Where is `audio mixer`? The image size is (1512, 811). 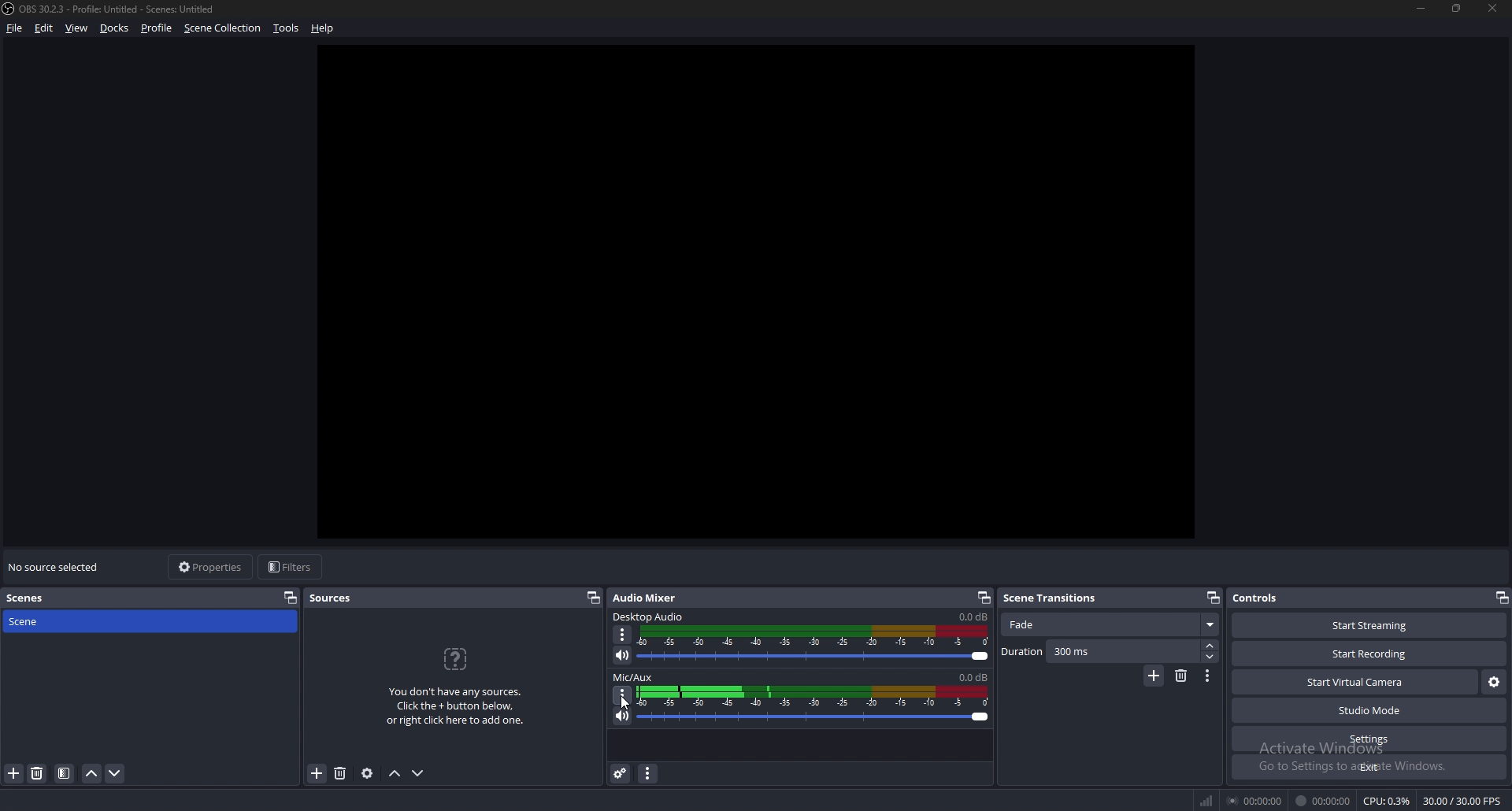
audio mixer is located at coordinates (650, 598).